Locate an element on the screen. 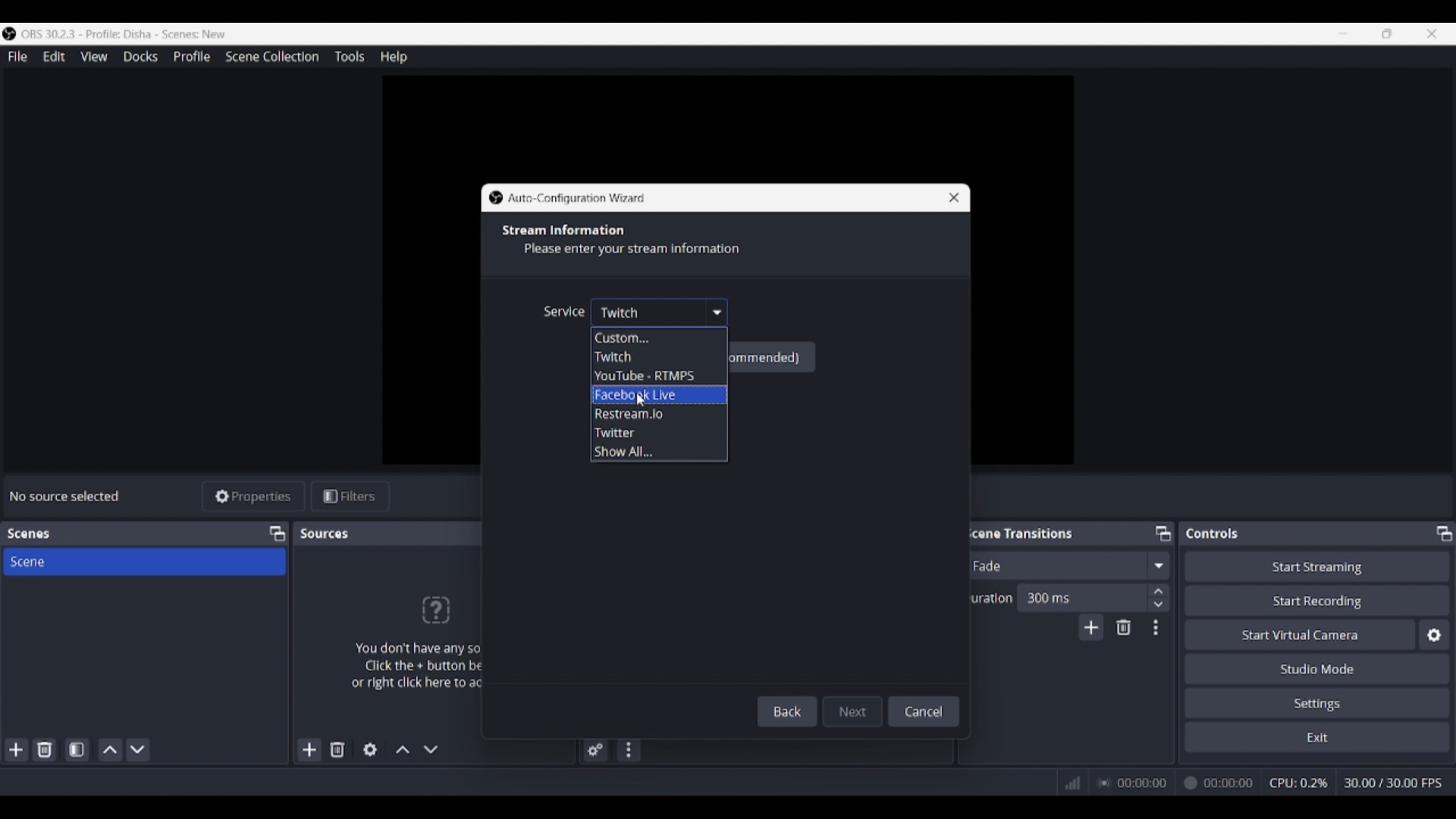 The height and width of the screenshot is (819, 1456). CPU is located at coordinates (1299, 783).